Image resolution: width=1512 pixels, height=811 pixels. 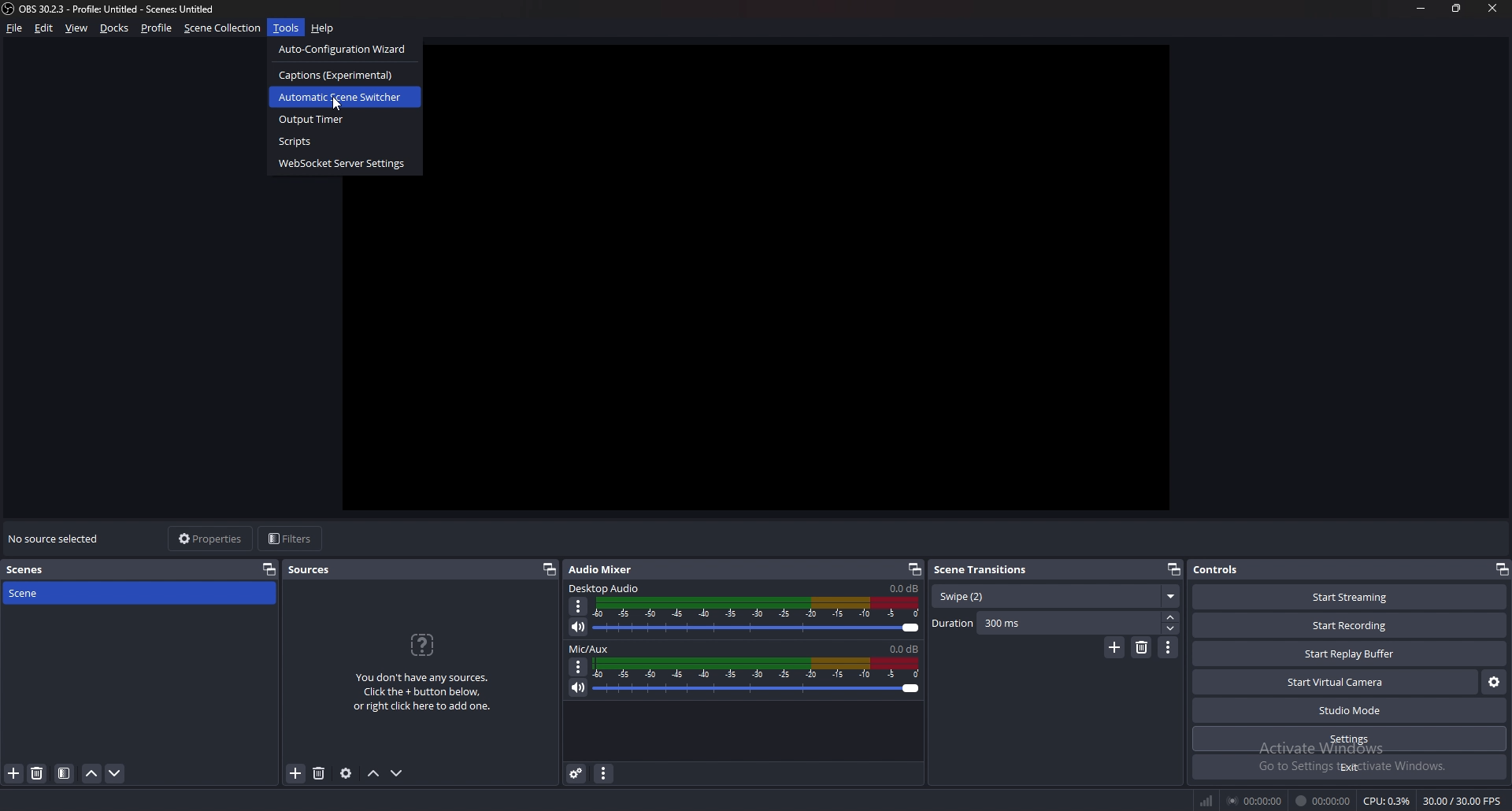 I want to click on scripts, so click(x=345, y=141).